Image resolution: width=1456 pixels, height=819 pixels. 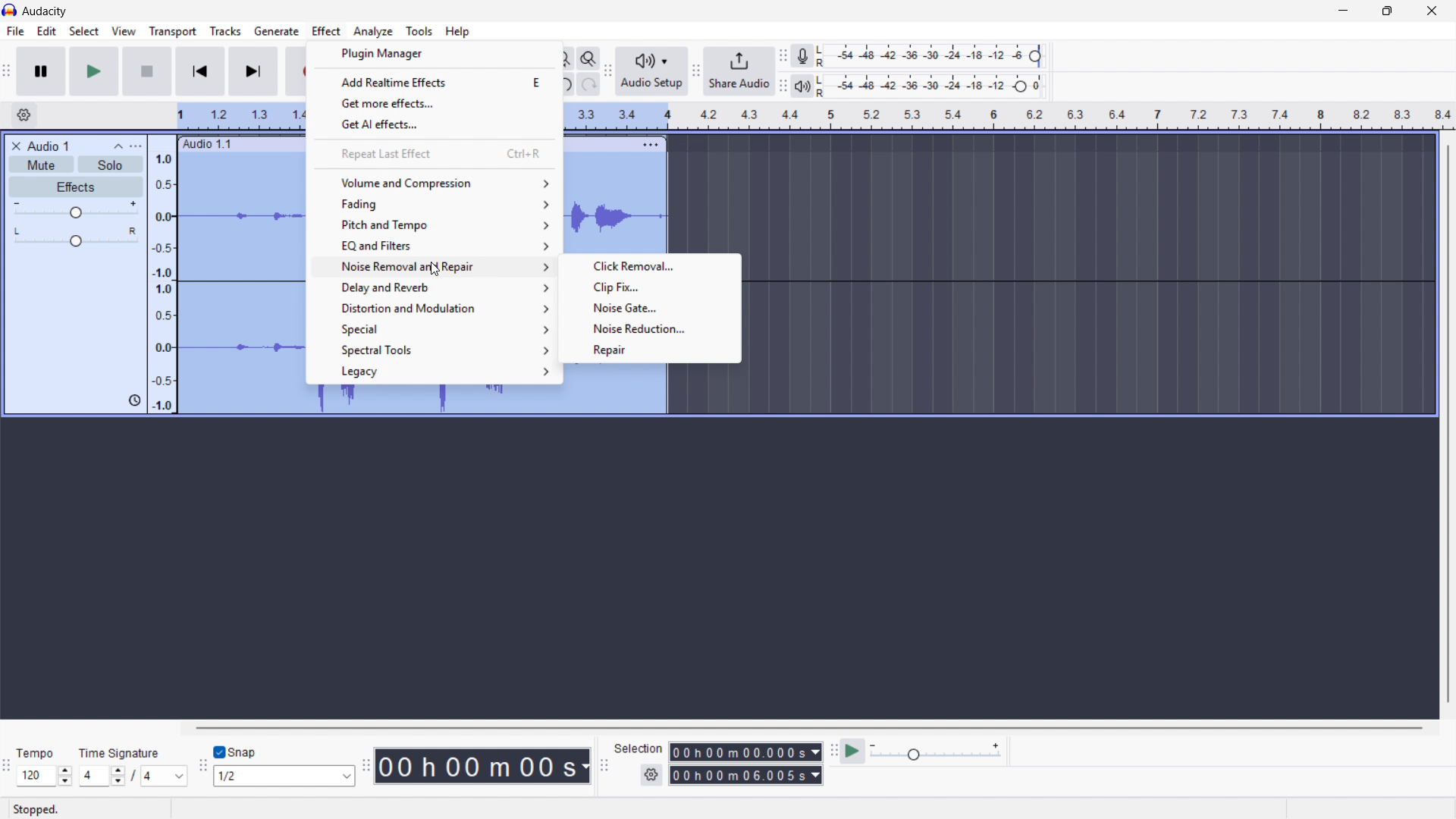 I want to click on Play , so click(x=93, y=71).